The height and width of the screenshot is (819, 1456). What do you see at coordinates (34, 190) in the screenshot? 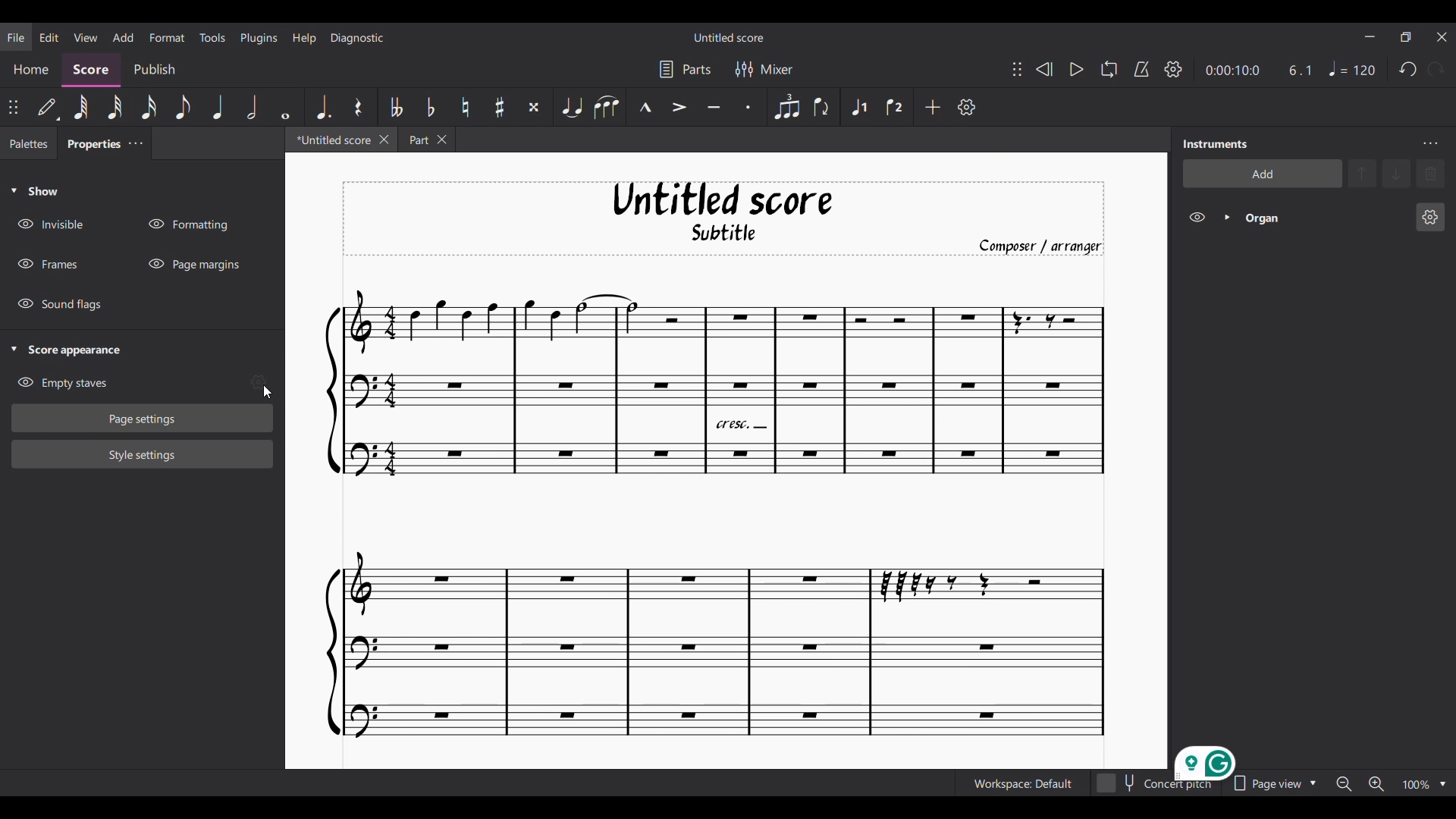
I see `Collapse Show` at bounding box center [34, 190].